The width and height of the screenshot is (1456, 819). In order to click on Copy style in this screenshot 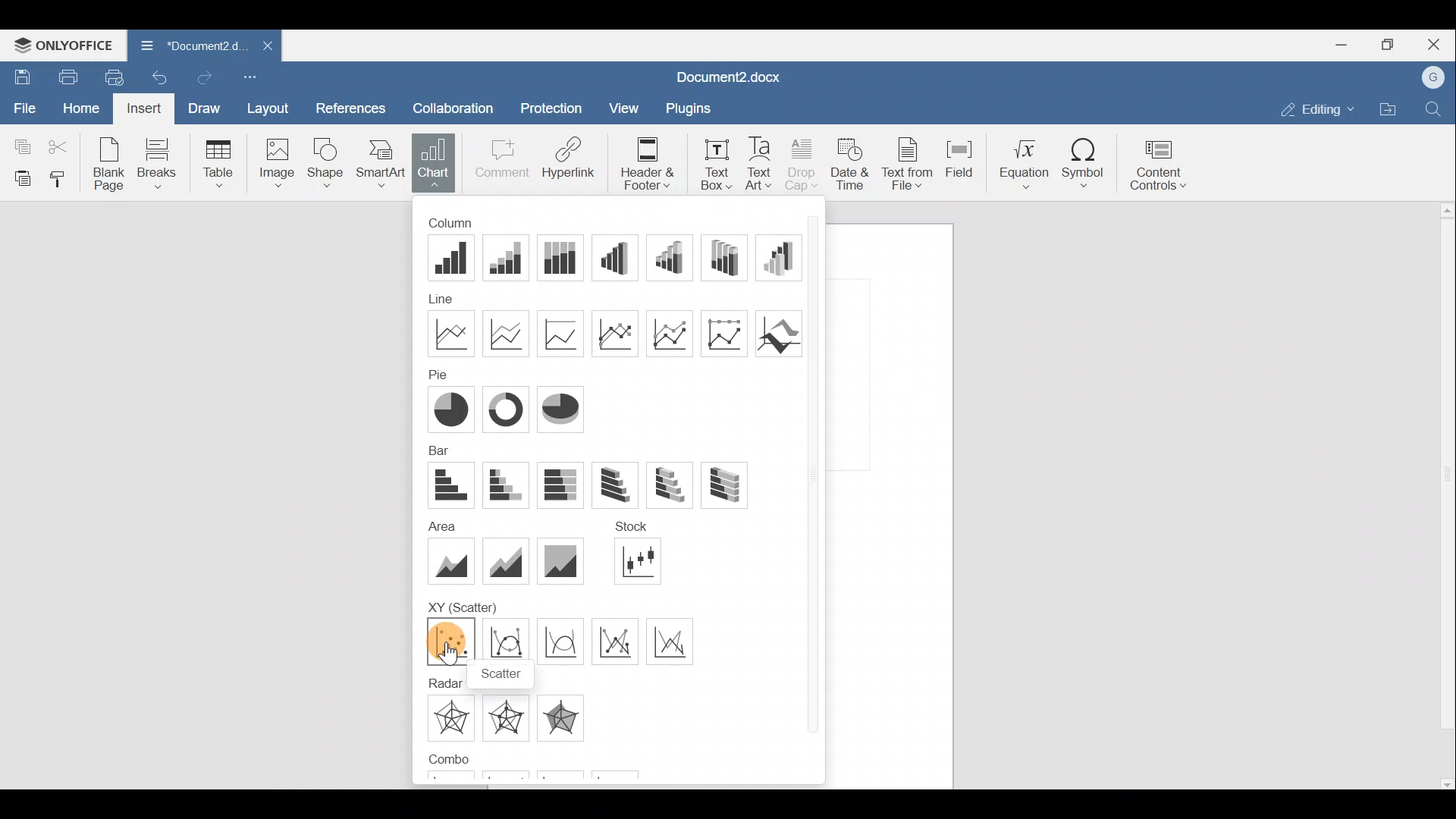, I will do `click(62, 180)`.